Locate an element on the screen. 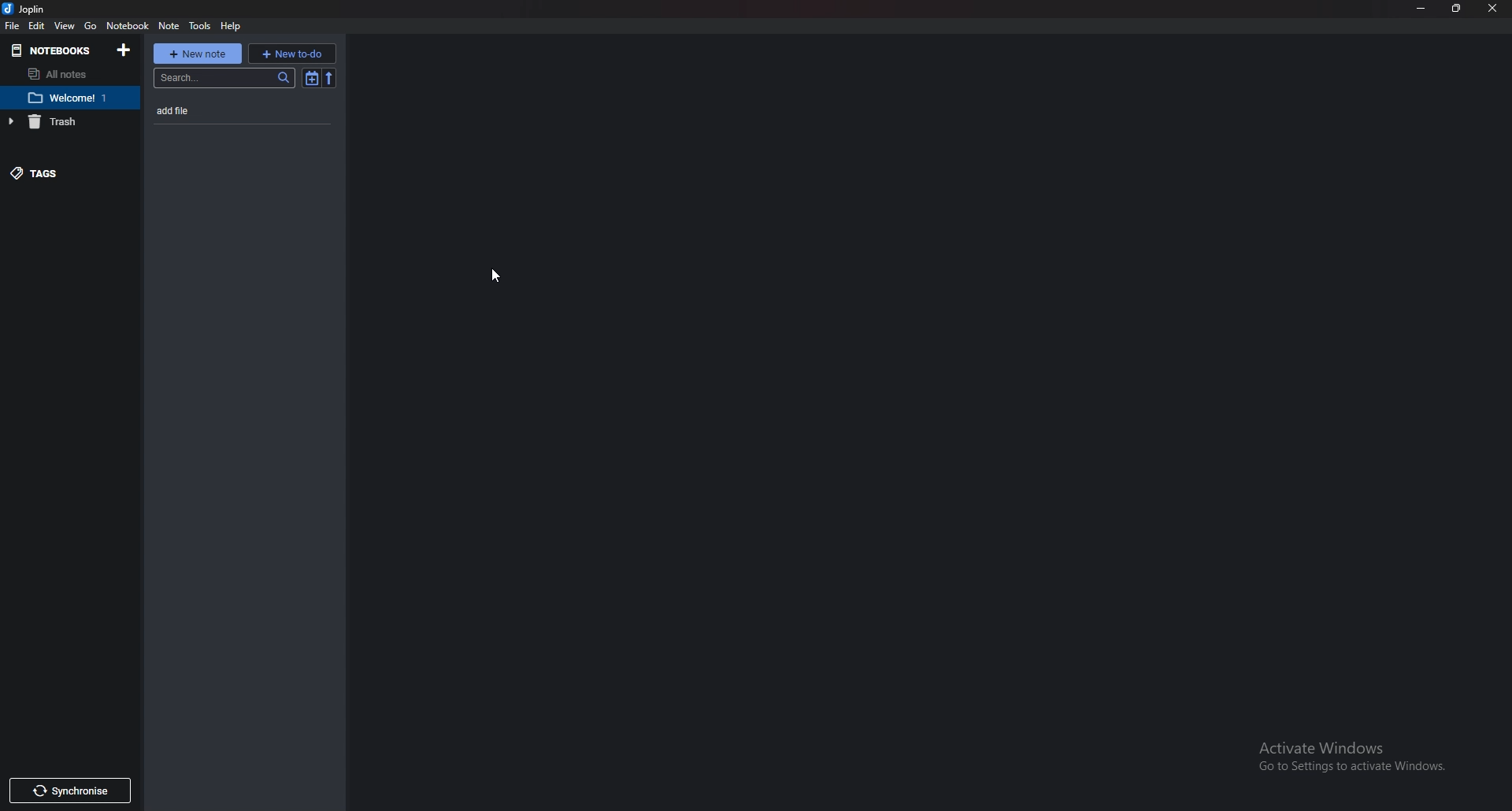 The image size is (1512, 811). reverse sort order is located at coordinates (332, 77).